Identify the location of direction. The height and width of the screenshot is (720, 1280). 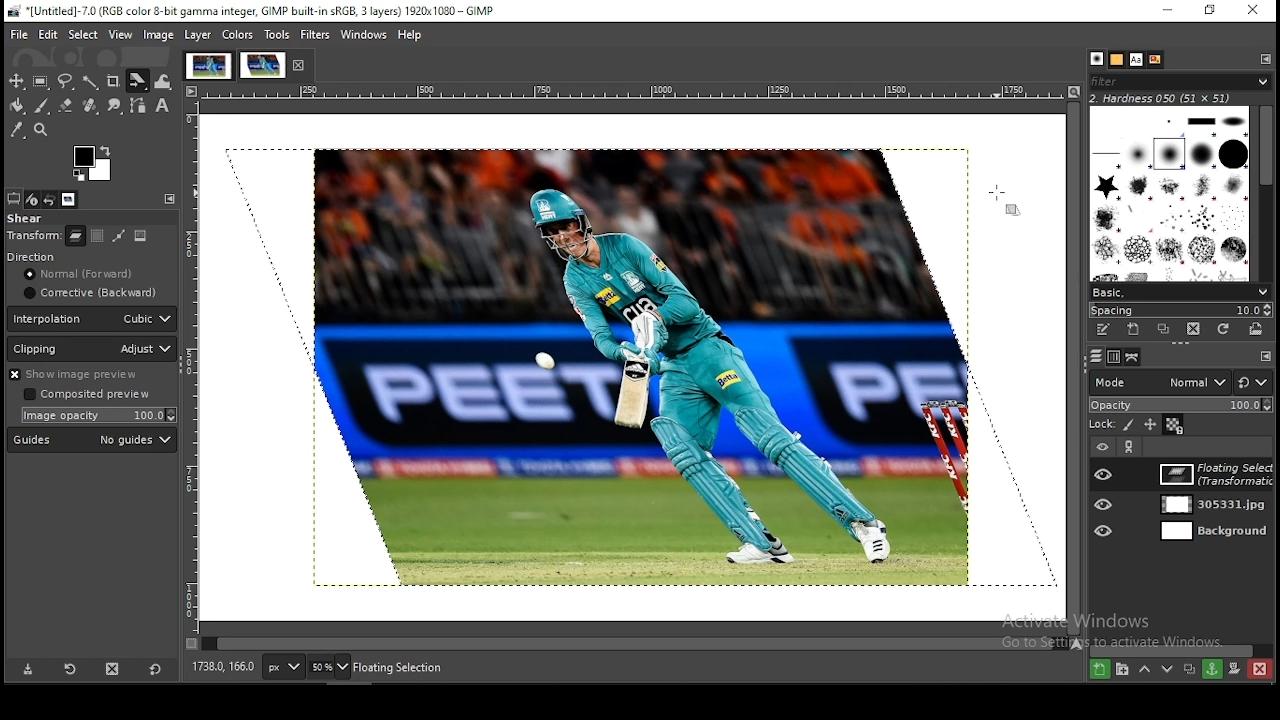
(57, 256).